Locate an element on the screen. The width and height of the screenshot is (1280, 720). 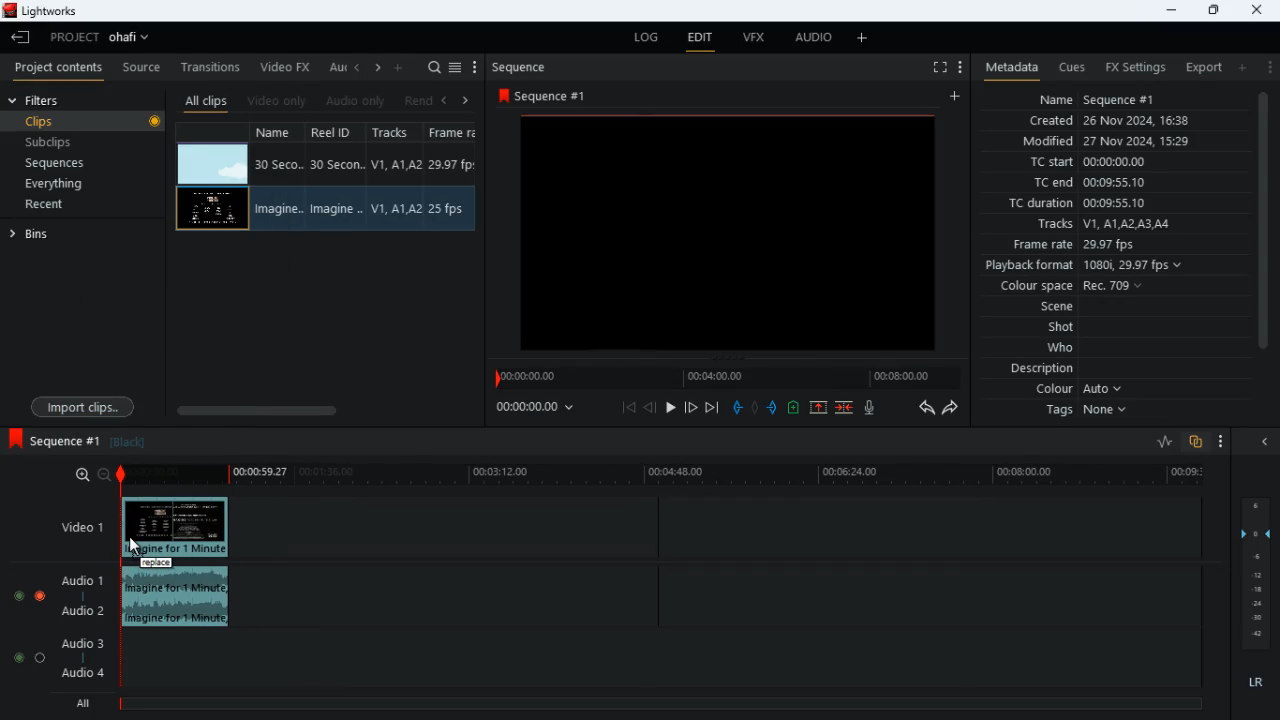
list is located at coordinates (455, 68).